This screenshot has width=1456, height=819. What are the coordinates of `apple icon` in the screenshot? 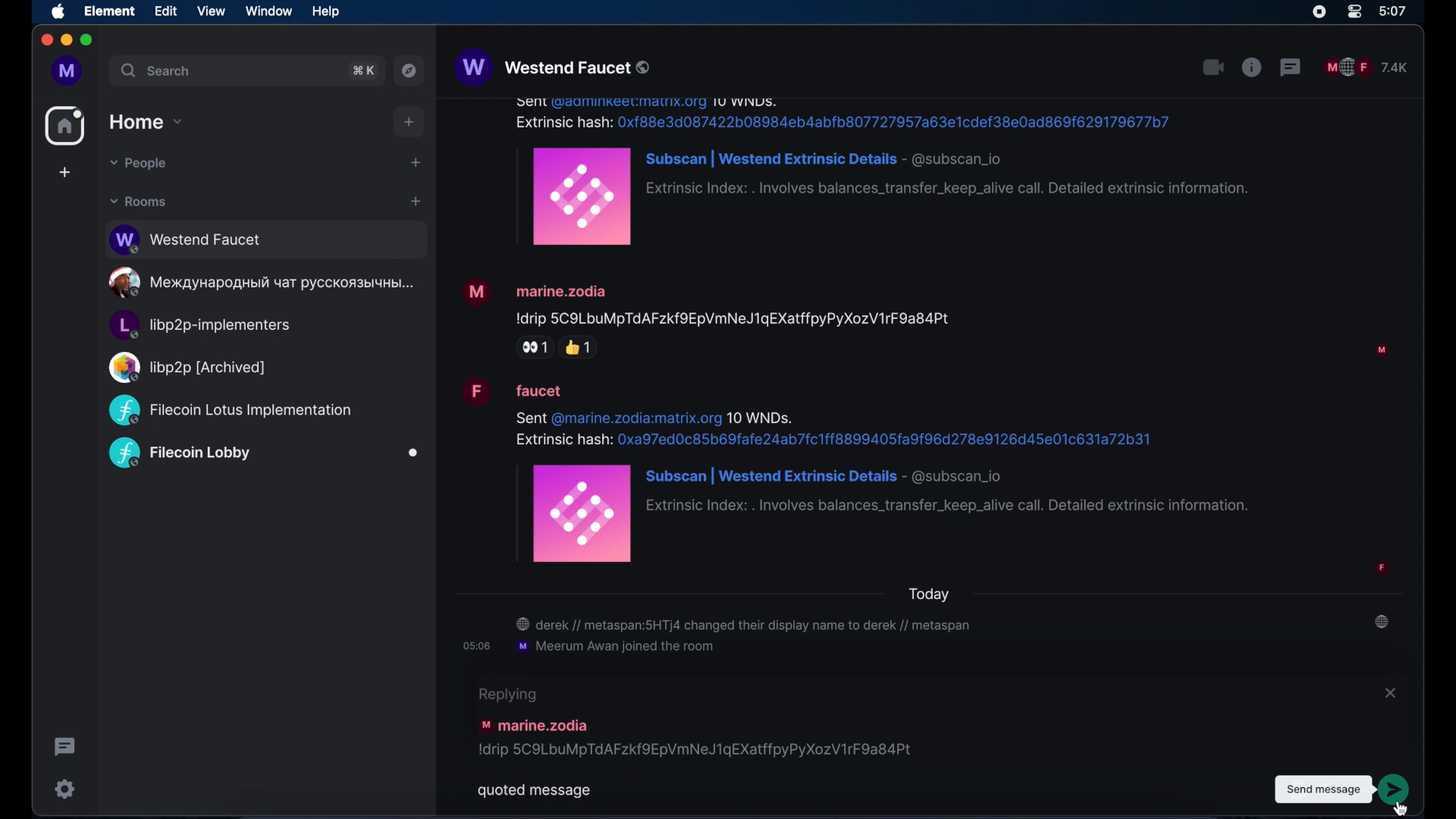 It's located at (59, 13).